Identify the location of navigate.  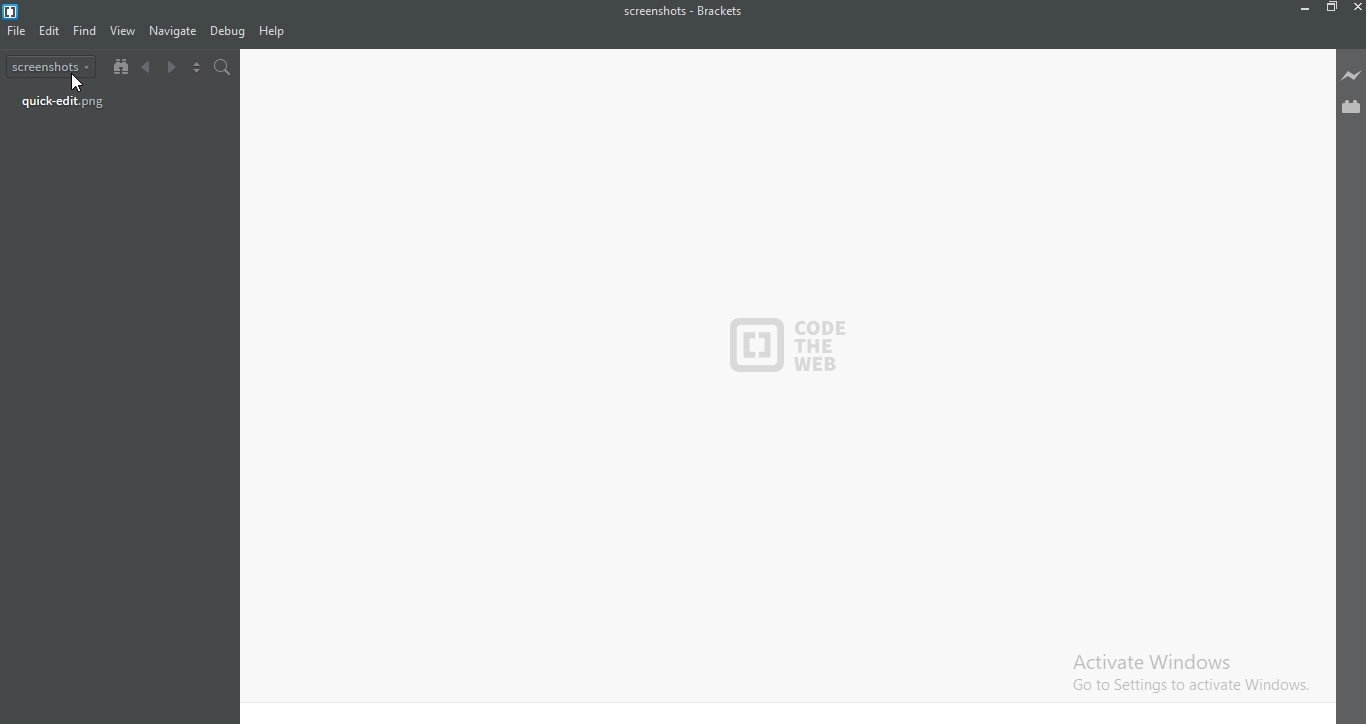
(173, 31).